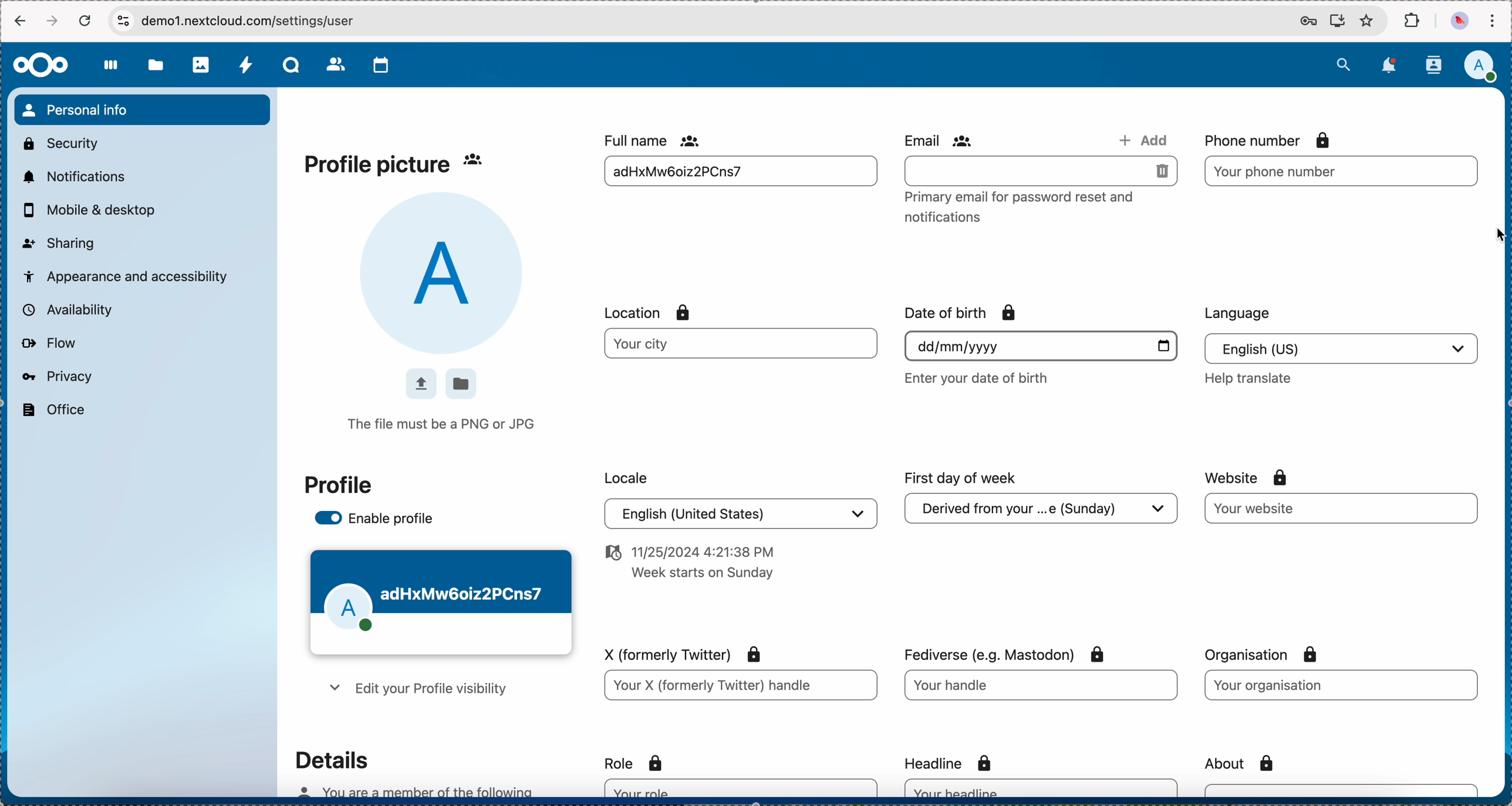 This screenshot has width=1512, height=806. I want to click on photos, so click(202, 65).